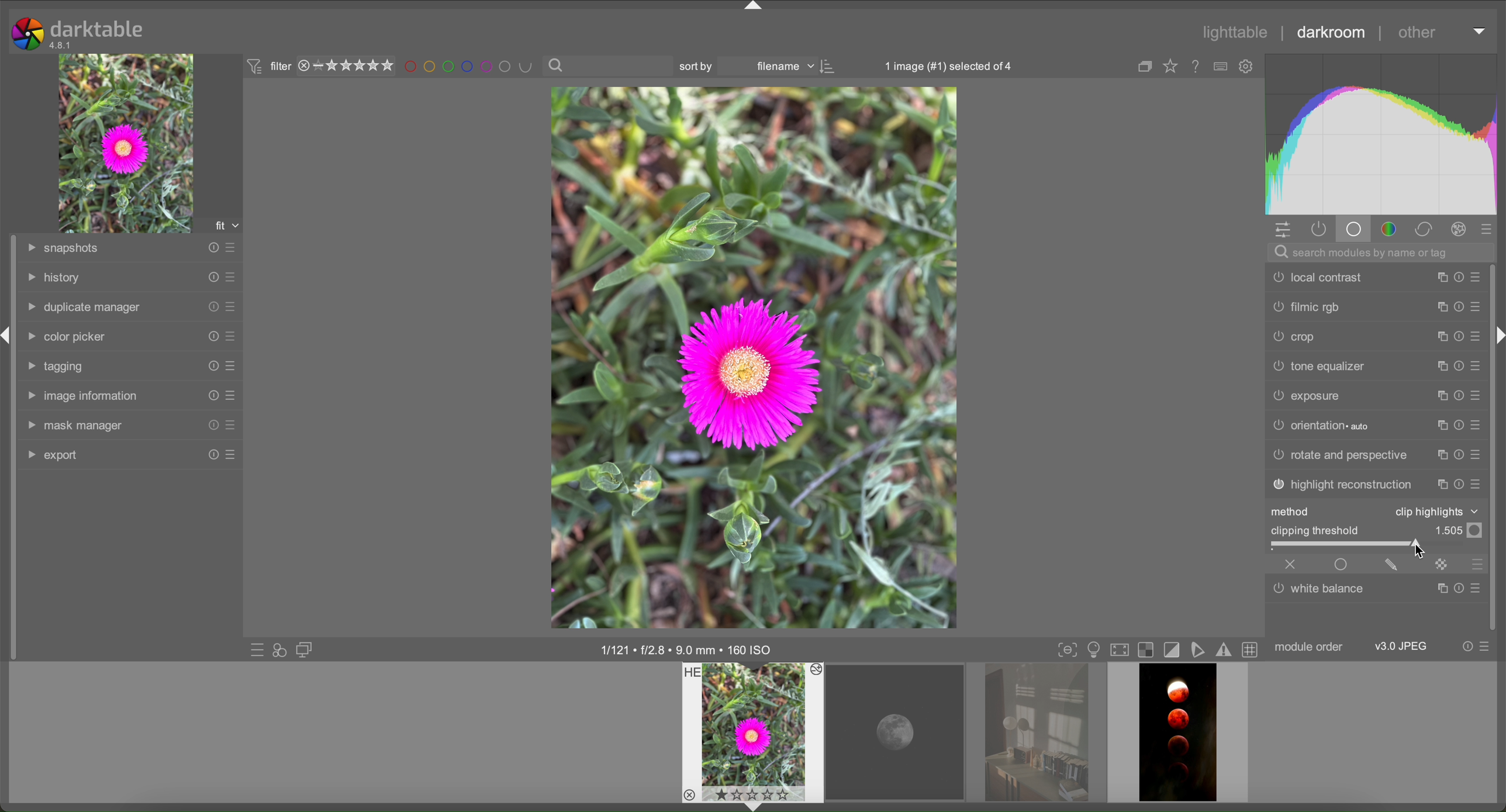 The image size is (1506, 812). I want to click on copy, so click(1441, 396).